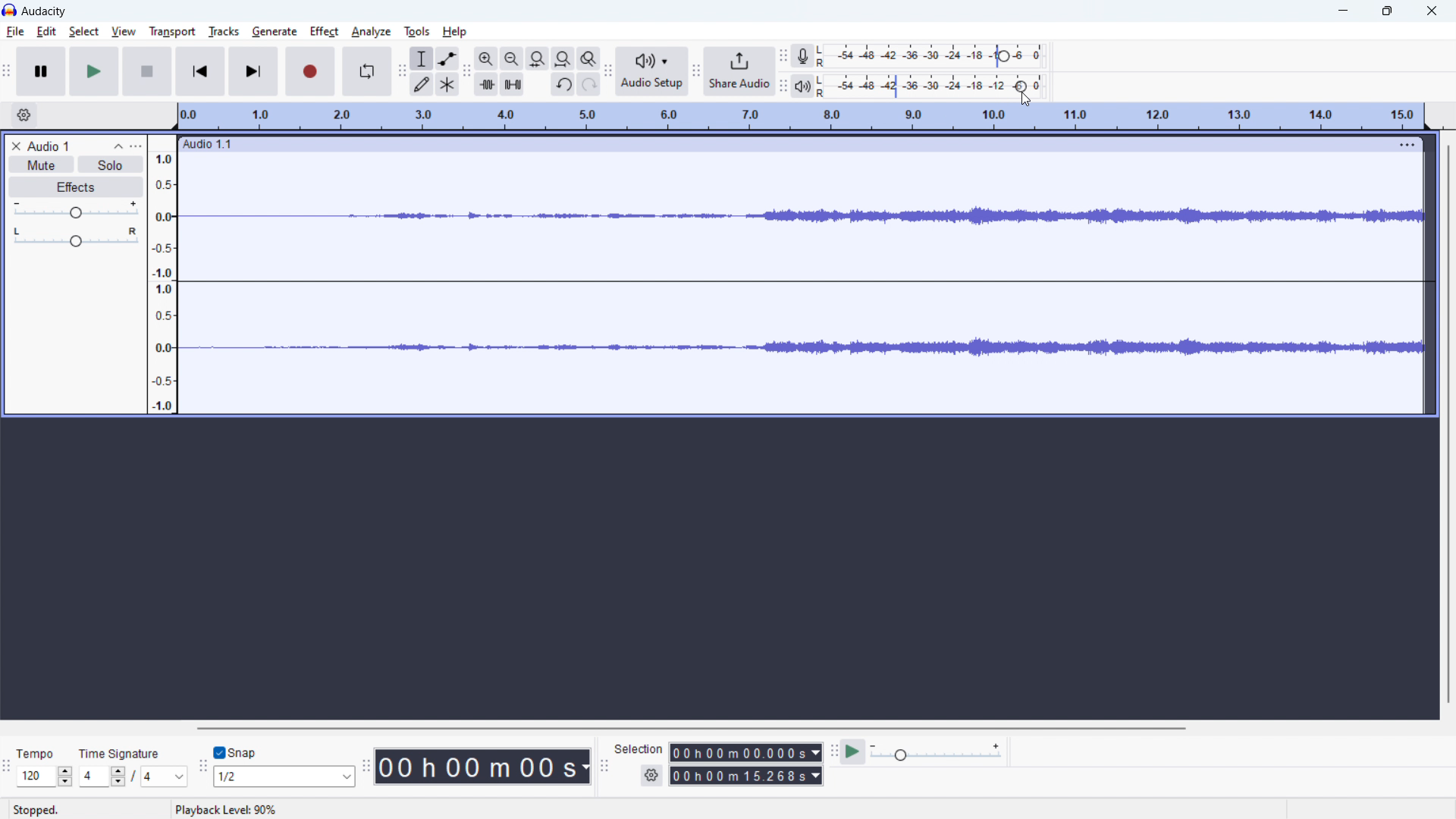 This screenshot has height=819, width=1456. I want to click on delete audio, so click(15, 146).